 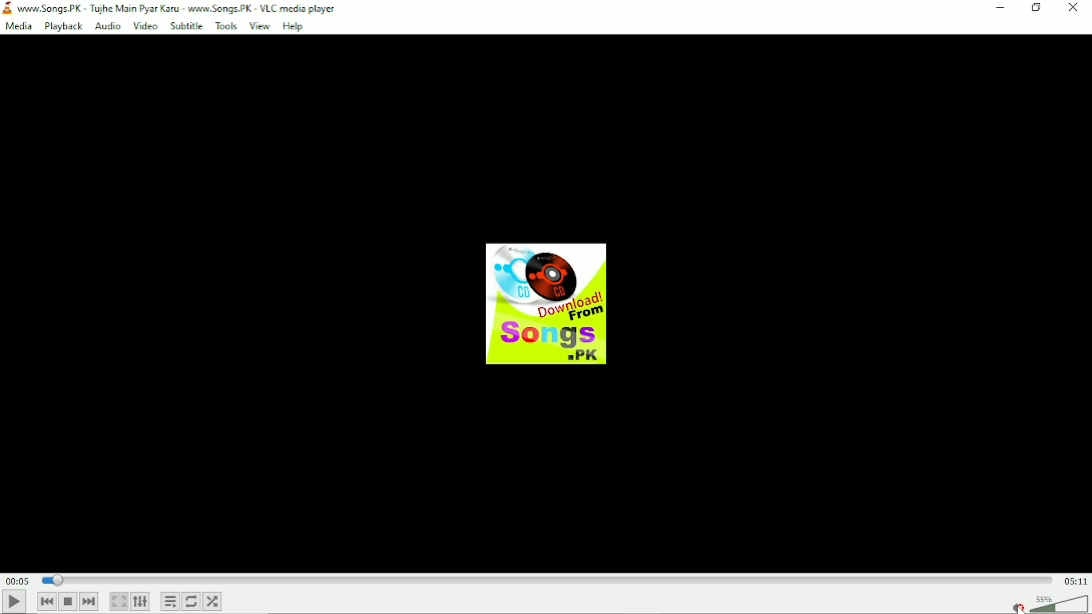 I want to click on Stop playback, so click(x=68, y=602).